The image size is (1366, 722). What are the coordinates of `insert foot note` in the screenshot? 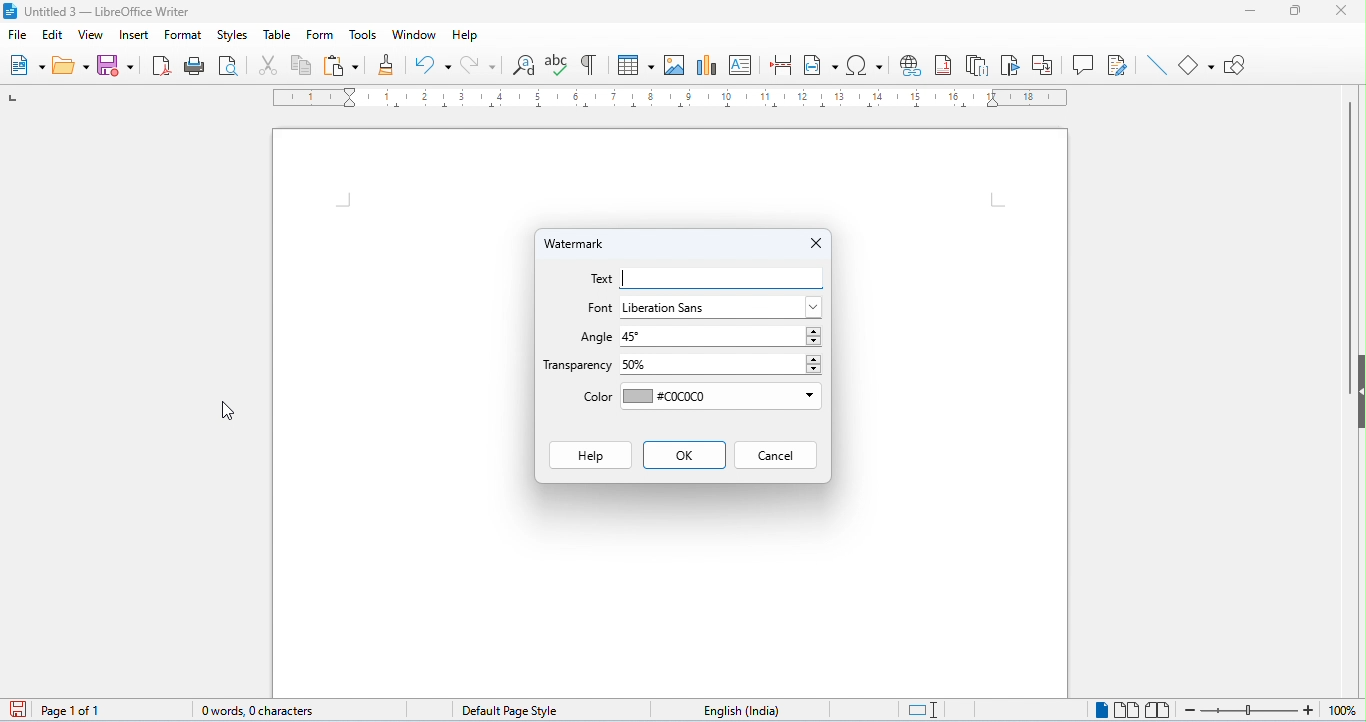 It's located at (944, 65).